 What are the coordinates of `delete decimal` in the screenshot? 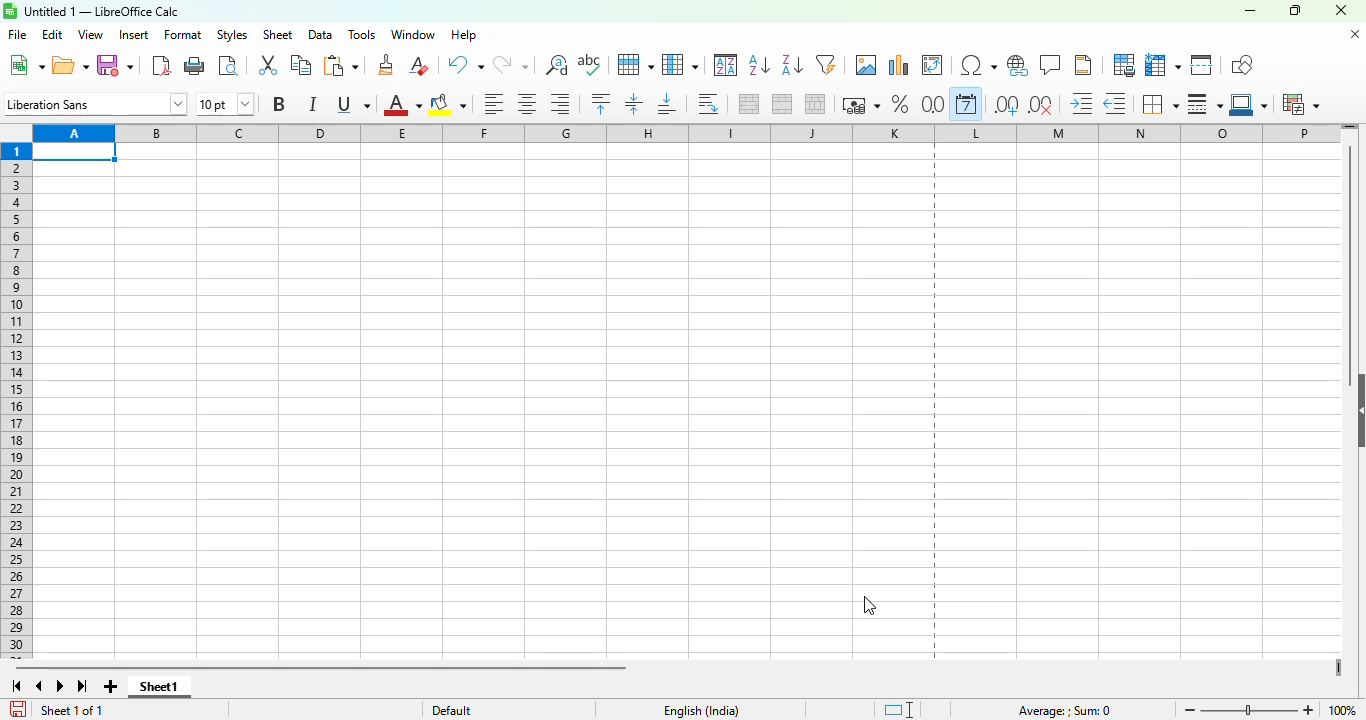 It's located at (1041, 105).